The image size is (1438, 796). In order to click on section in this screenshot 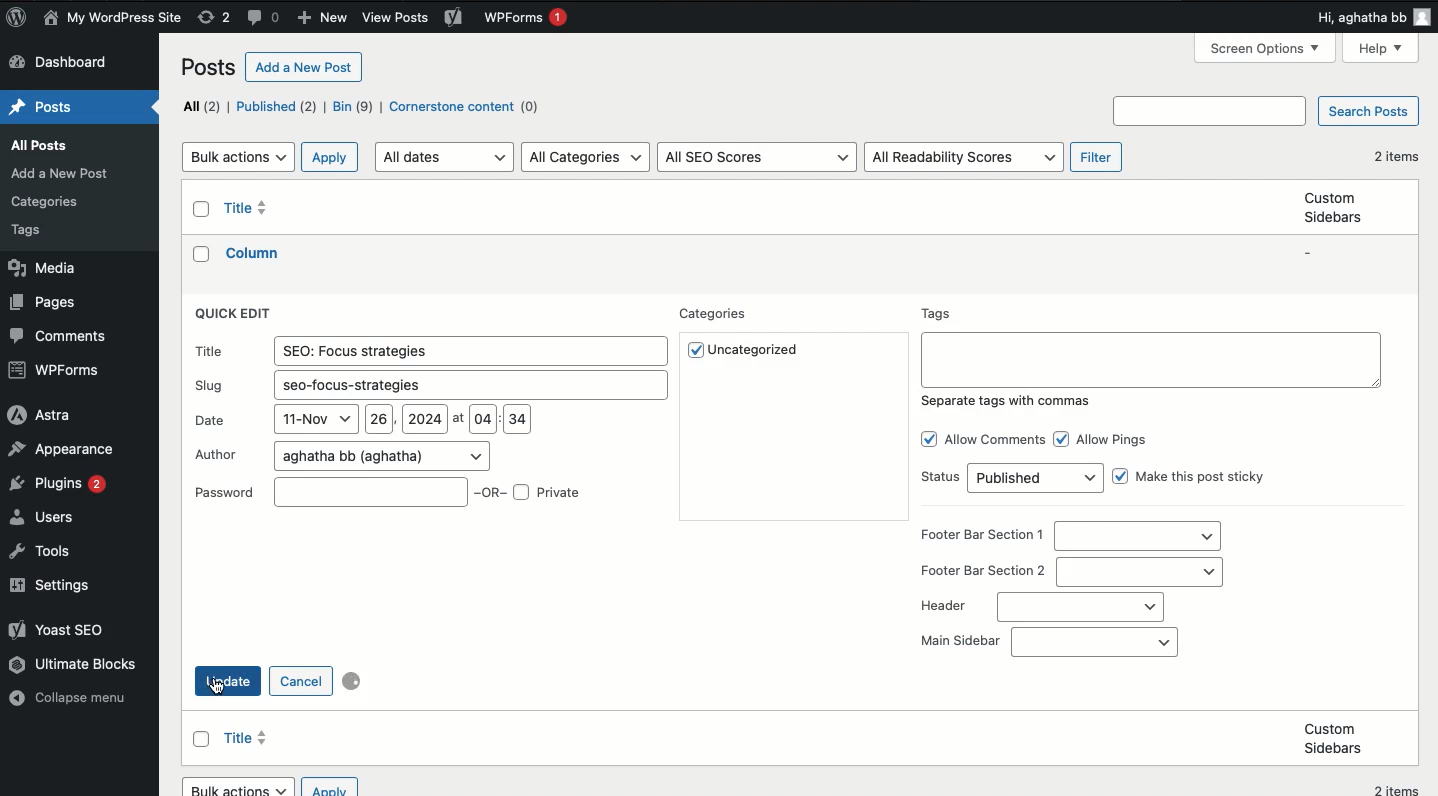, I will do `click(1137, 537)`.